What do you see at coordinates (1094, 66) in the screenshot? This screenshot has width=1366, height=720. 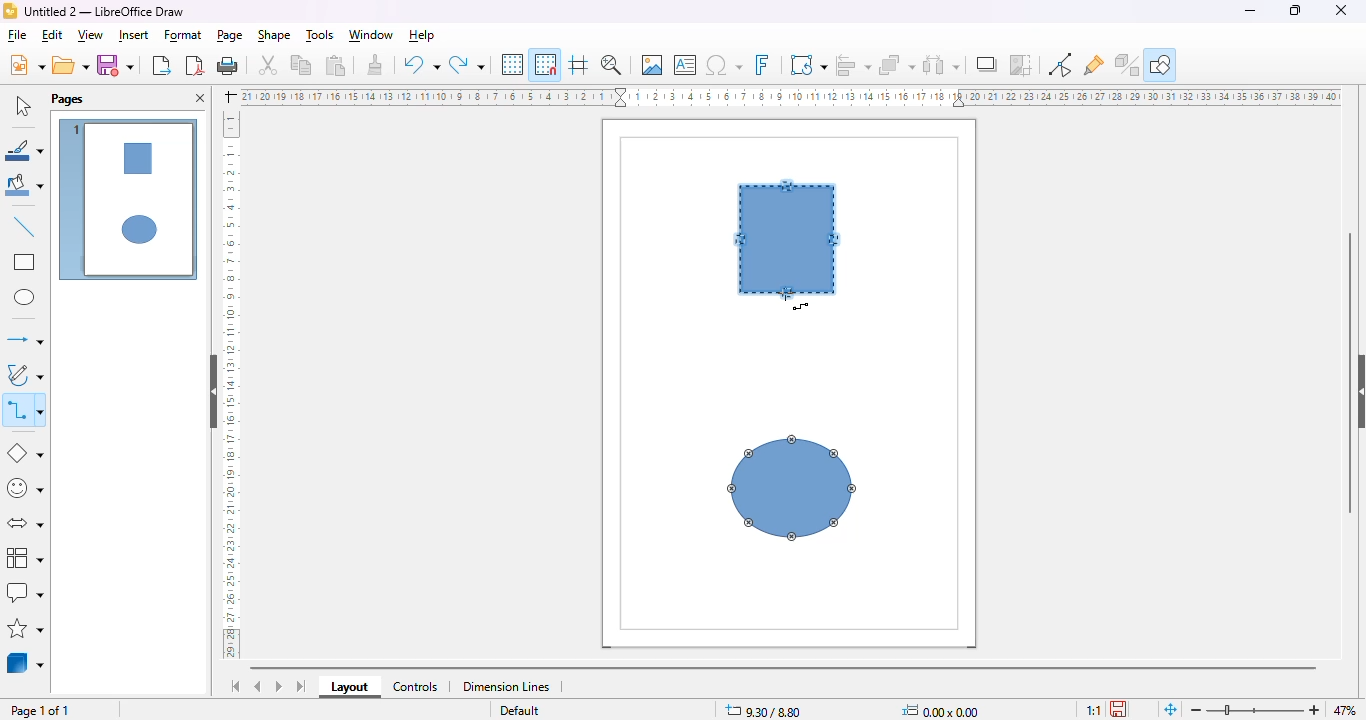 I see `show gluepoint functions` at bounding box center [1094, 66].